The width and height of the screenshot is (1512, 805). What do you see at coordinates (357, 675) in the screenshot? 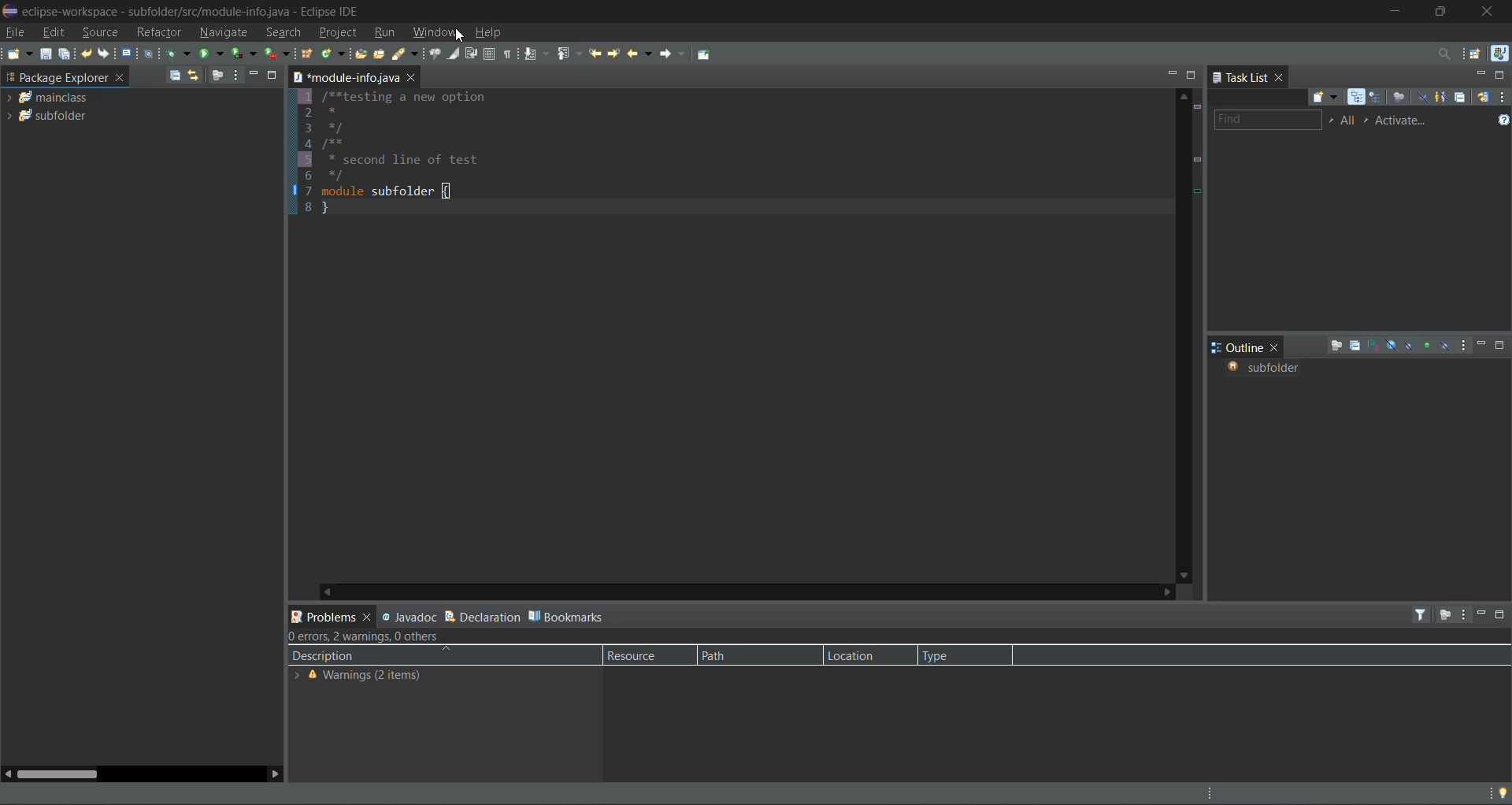
I see `information` at bounding box center [357, 675].